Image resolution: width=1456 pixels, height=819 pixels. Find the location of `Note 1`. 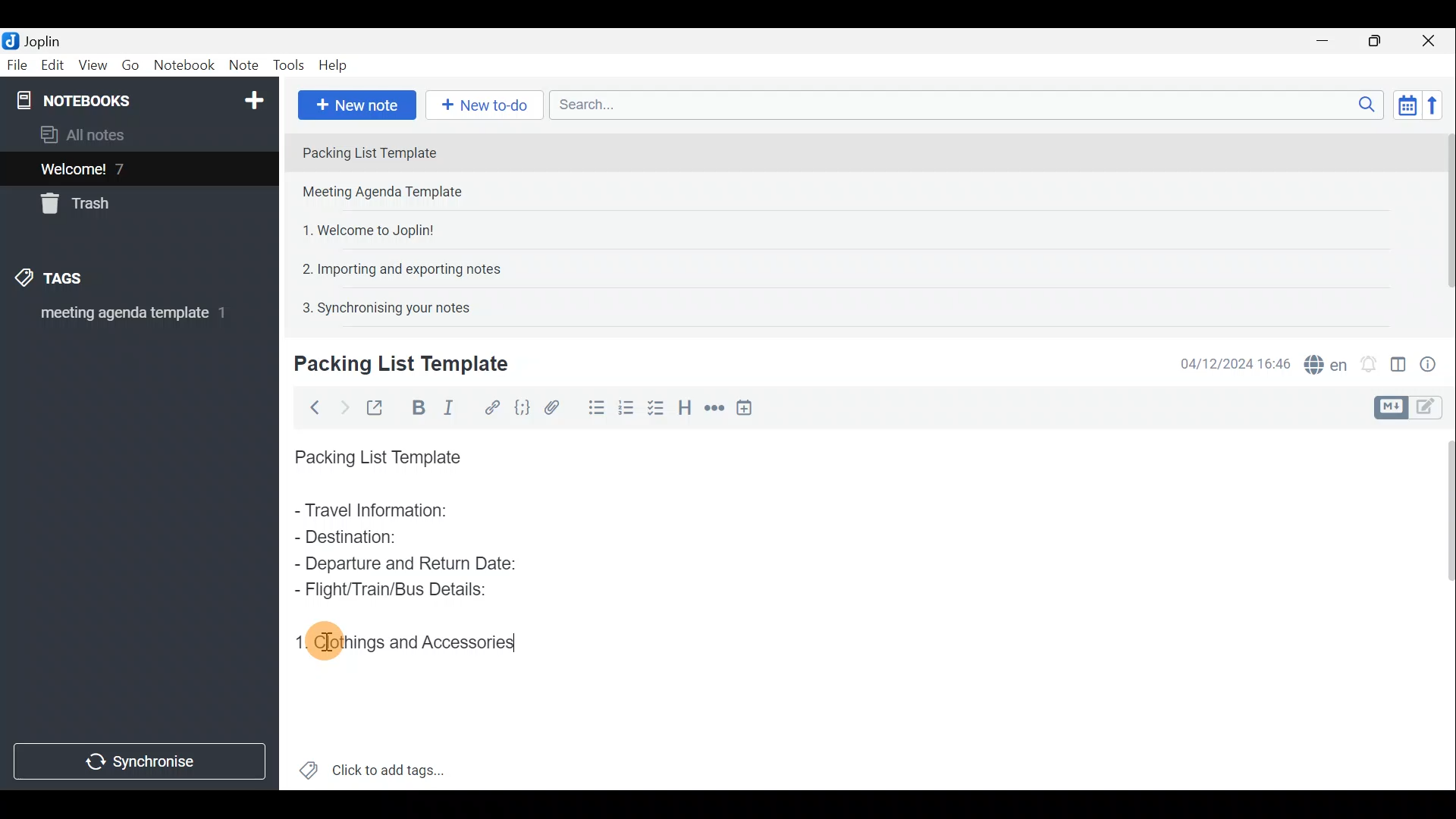

Note 1 is located at coordinates (424, 151).